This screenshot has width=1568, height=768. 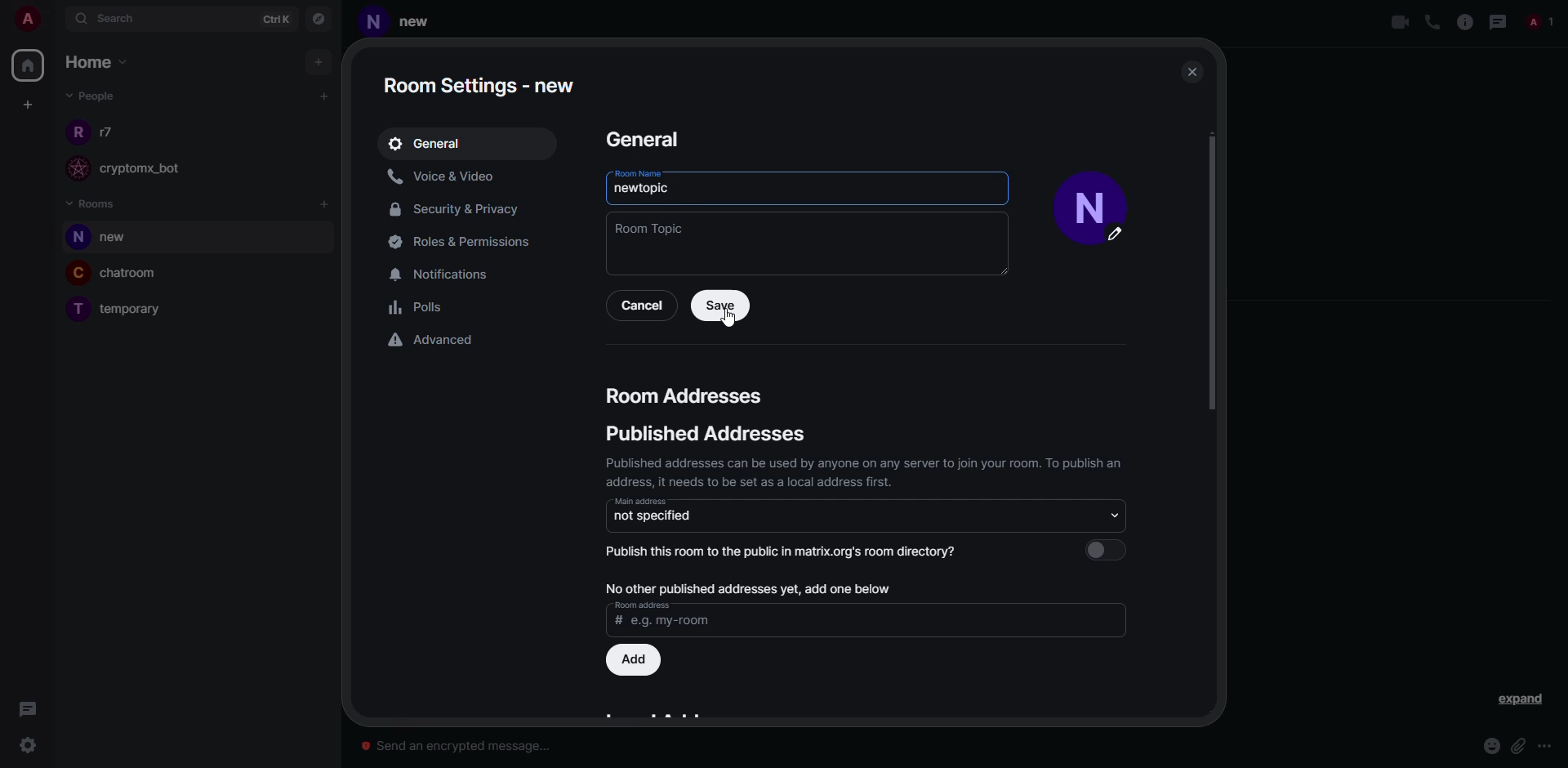 What do you see at coordinates (28, 105) in the screenshot?
I see `create space` at bounding box center [28, 105].